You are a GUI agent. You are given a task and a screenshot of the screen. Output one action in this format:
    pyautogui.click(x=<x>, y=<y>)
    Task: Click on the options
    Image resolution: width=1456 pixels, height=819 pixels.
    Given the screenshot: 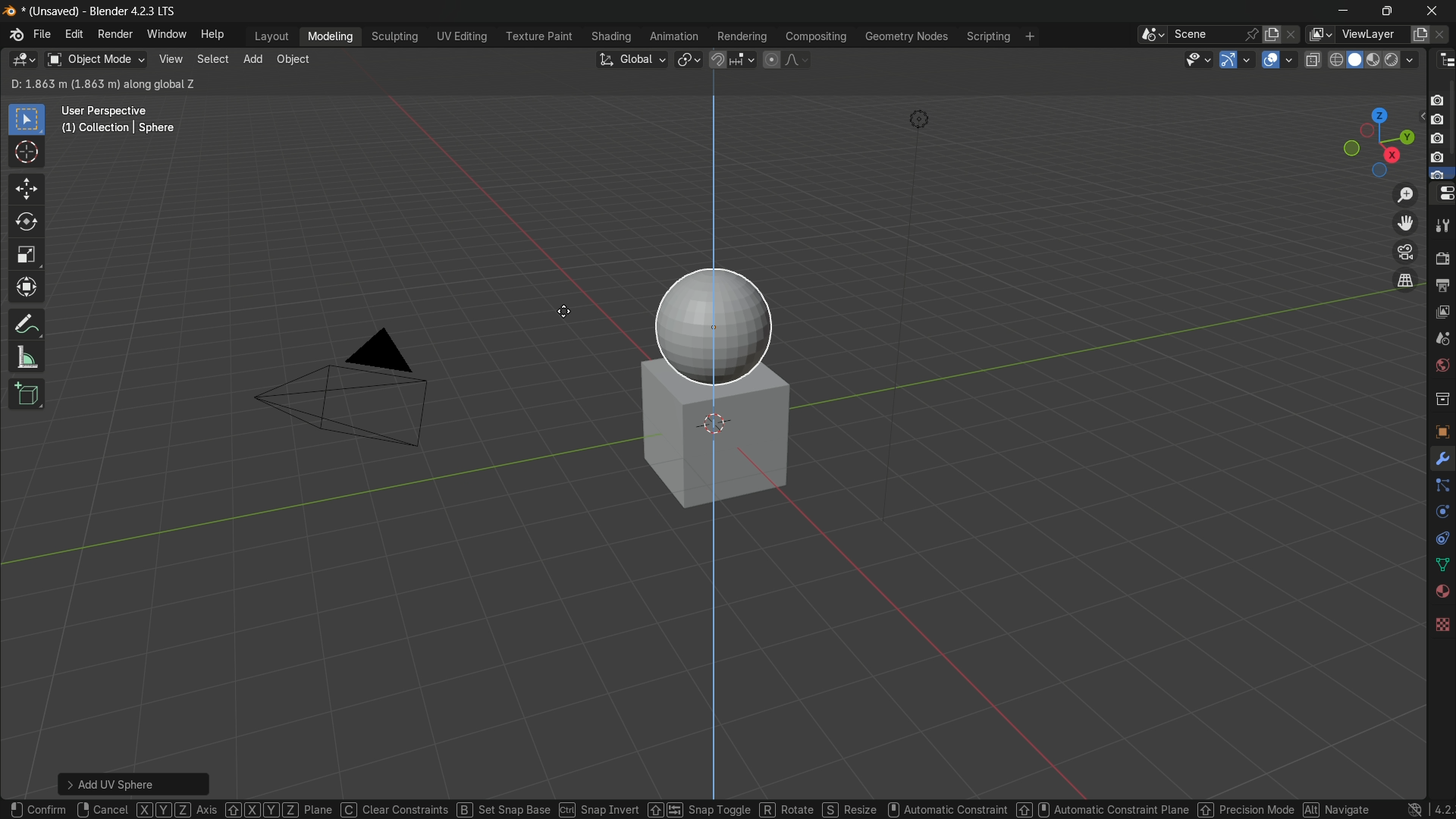 What is the action you would take?
    pyautogui.click(x=1389, y=83)
    